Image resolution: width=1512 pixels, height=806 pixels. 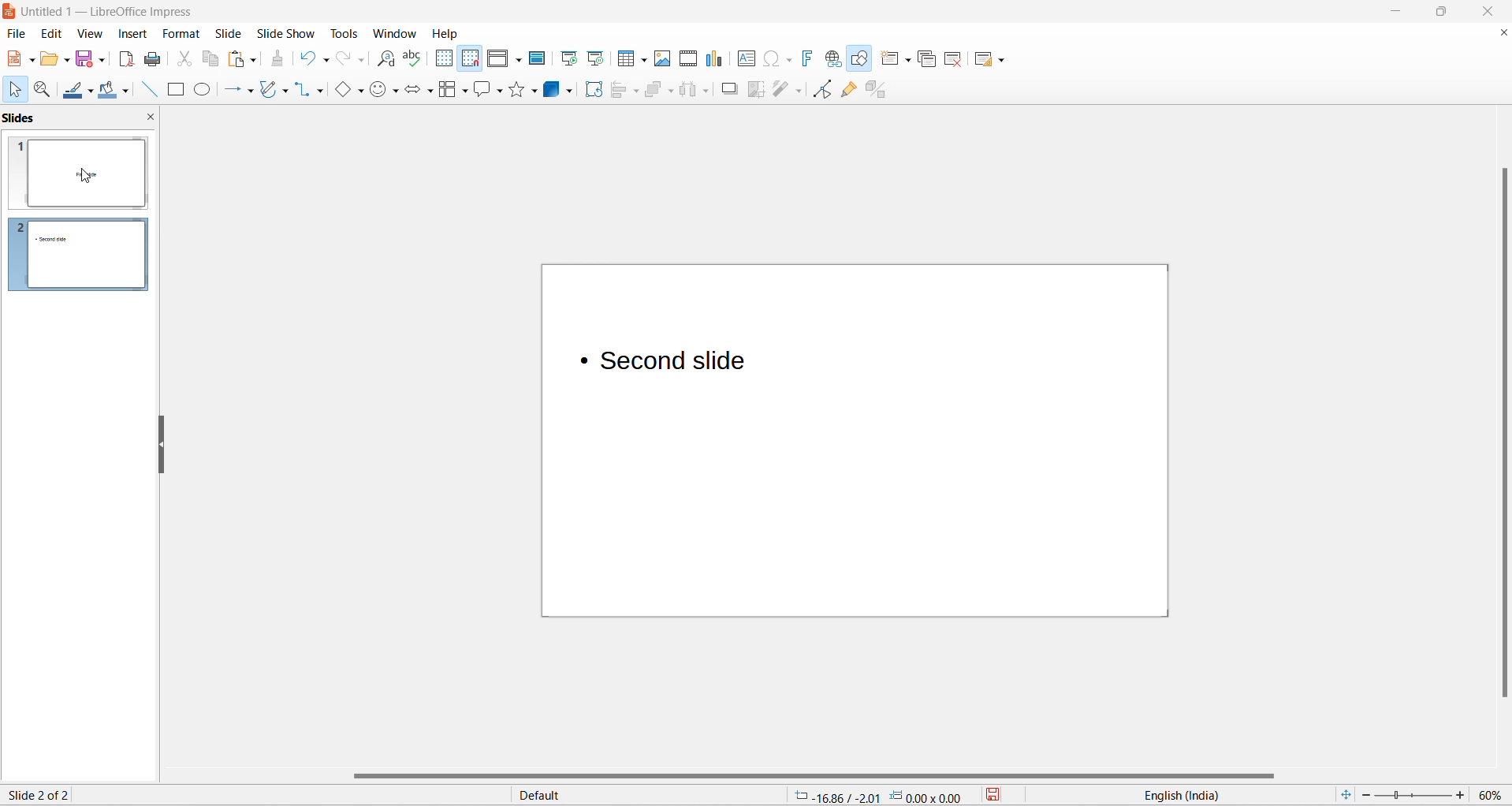 I want to click on select at least three objects, so click(x=692, y=89).